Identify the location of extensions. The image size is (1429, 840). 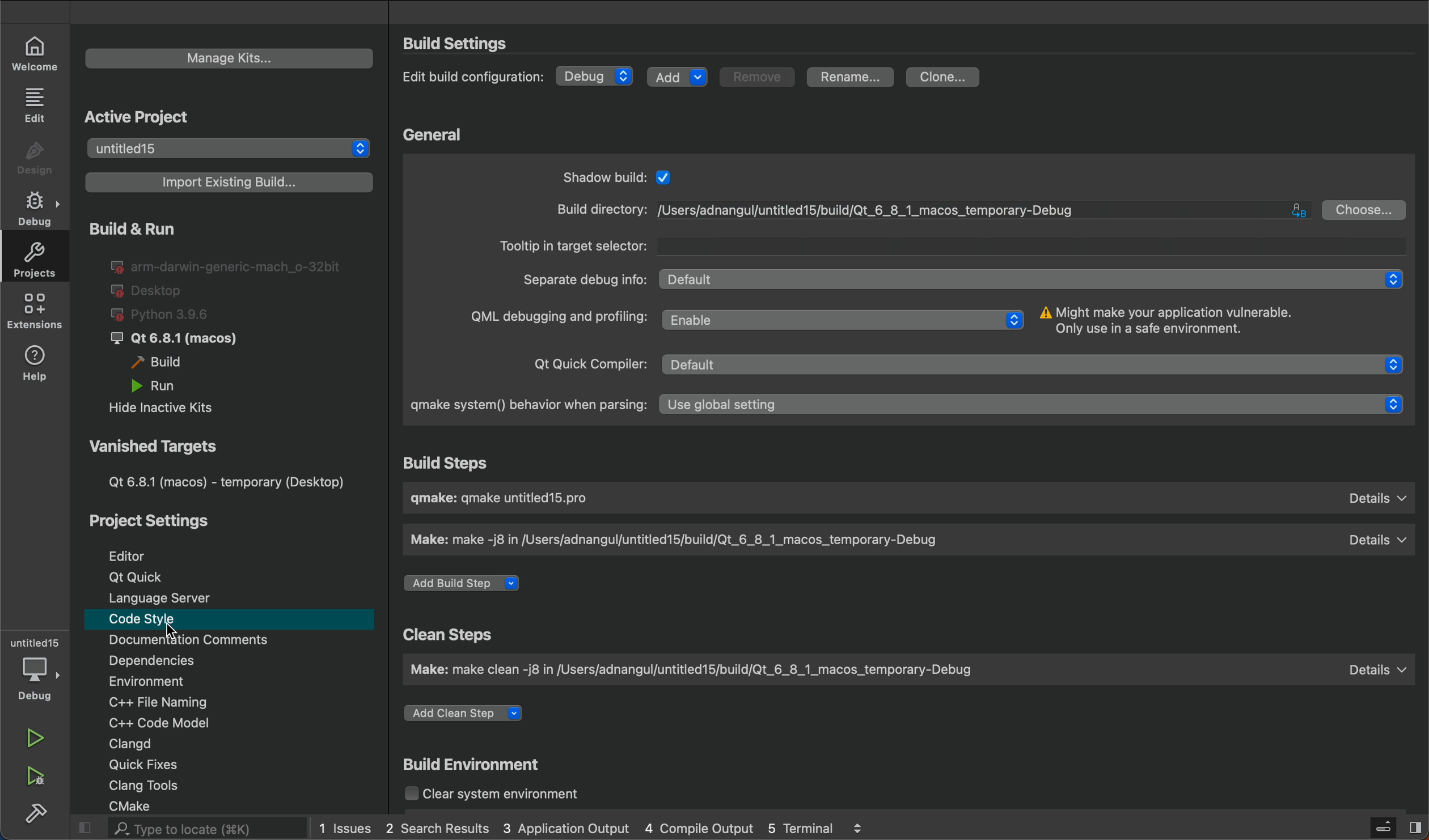
(32, 313).